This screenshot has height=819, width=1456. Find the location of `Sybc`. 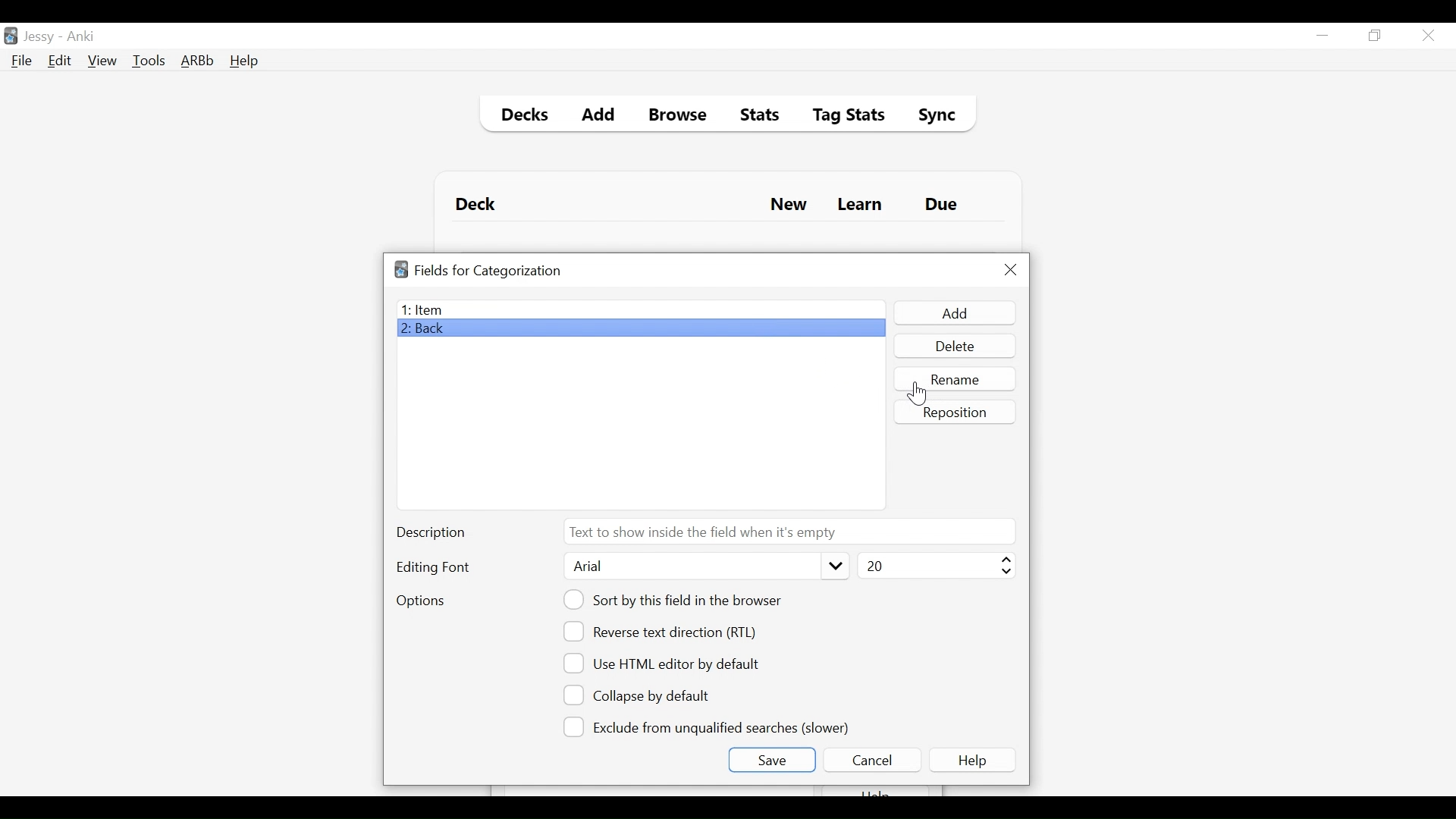

Sybc is located at coordinates (931, 117).